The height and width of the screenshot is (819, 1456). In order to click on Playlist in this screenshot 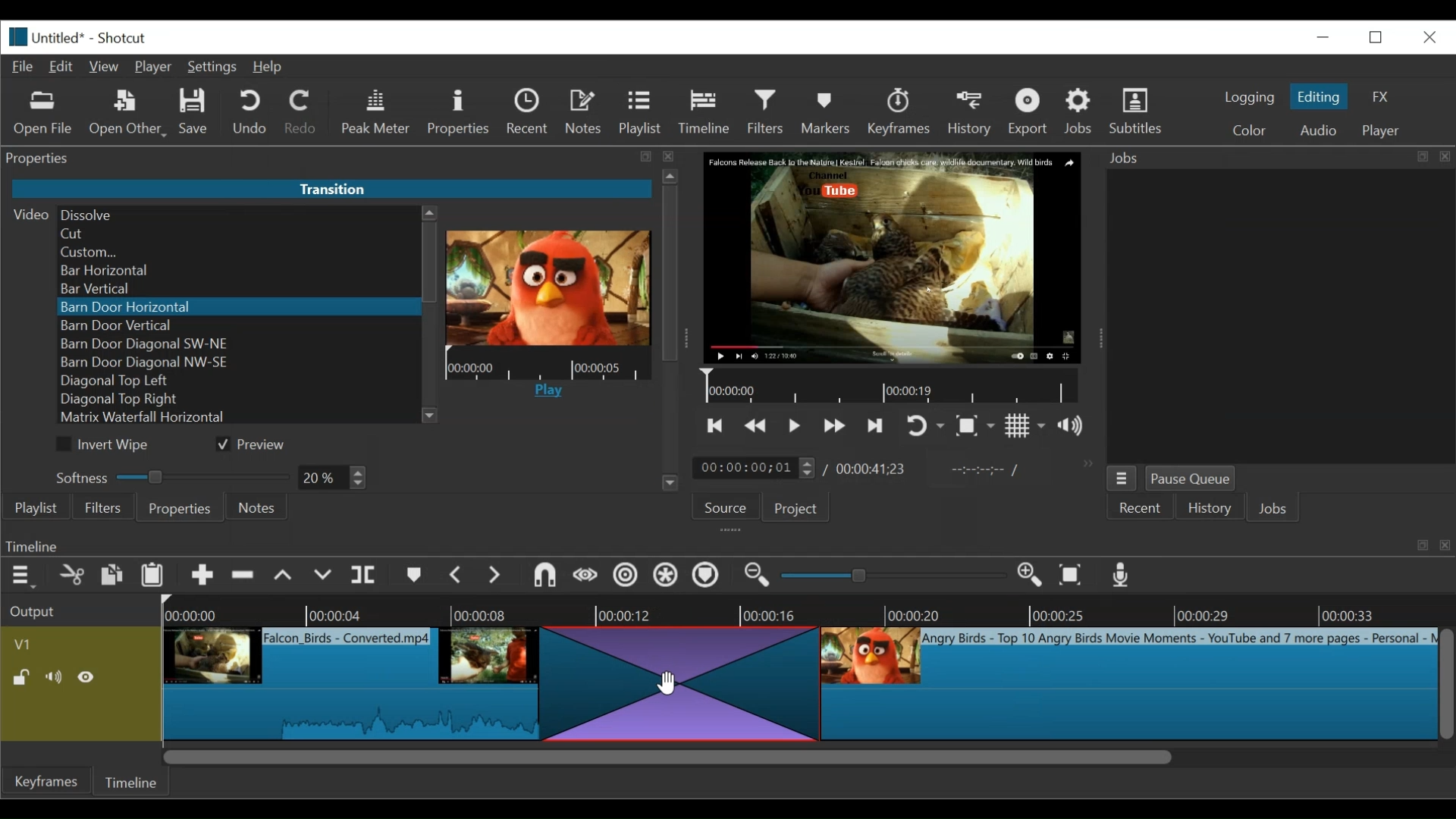, I will do `click(641, 113)`.